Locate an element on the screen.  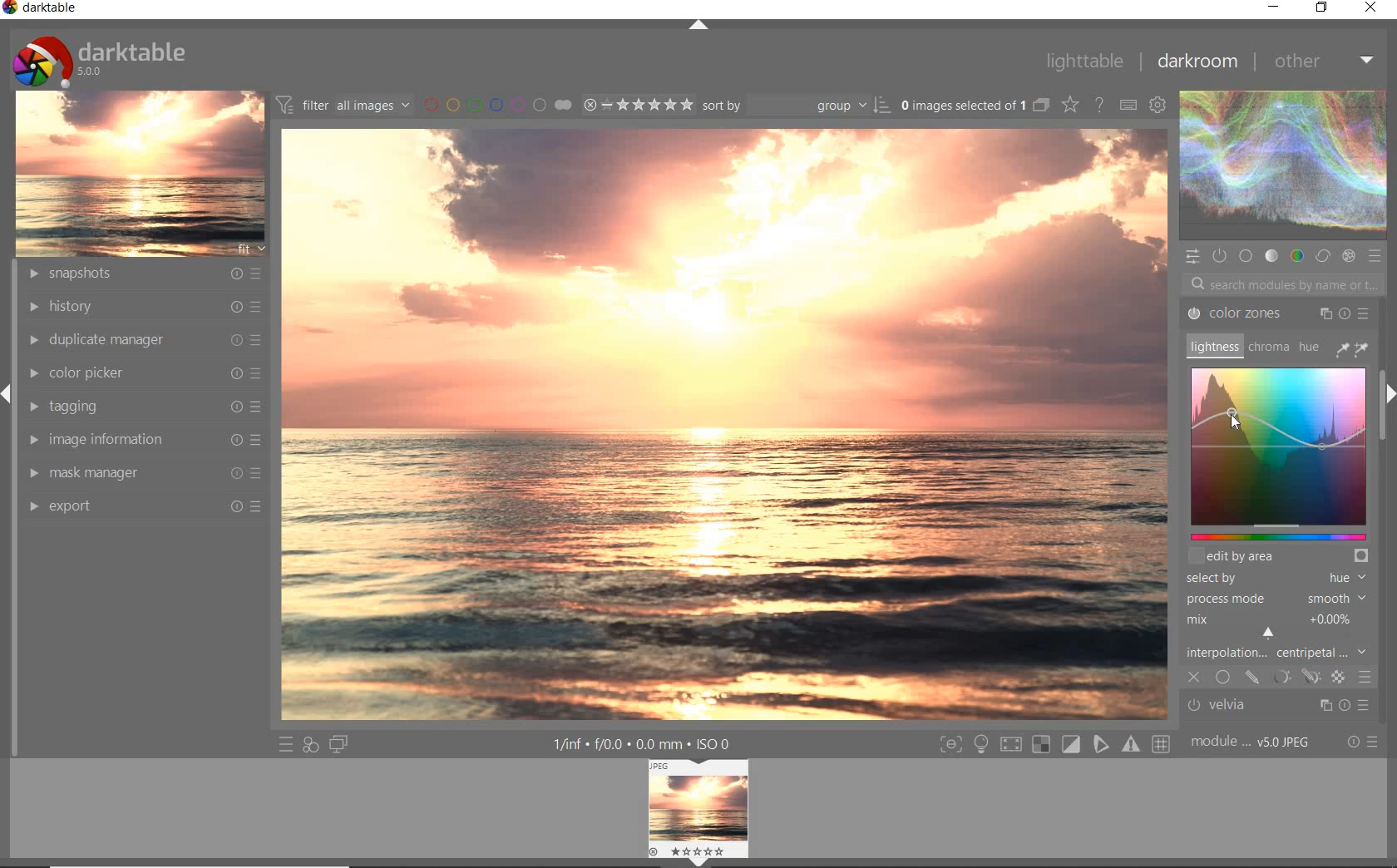
CHANGE TYPE FOR OVER RELAY is located at coordinates (1069, 104).